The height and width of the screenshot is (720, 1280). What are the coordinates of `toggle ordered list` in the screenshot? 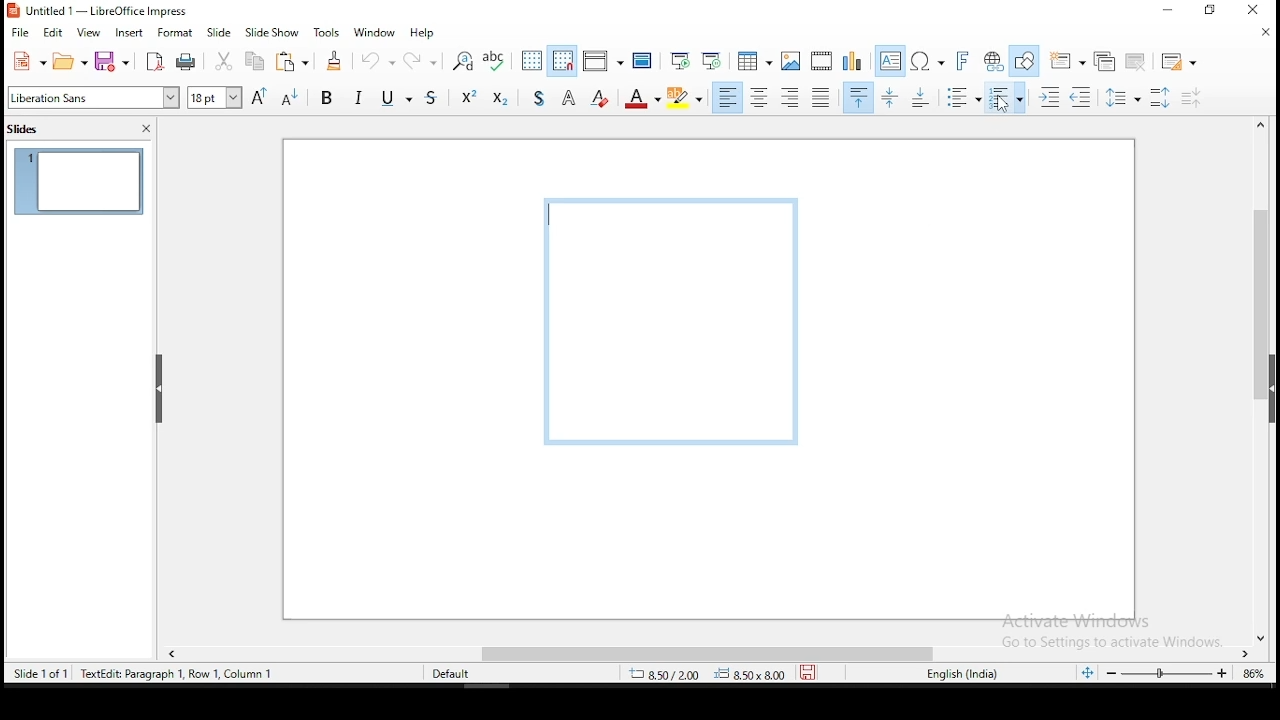 It's located at (1004, 98).